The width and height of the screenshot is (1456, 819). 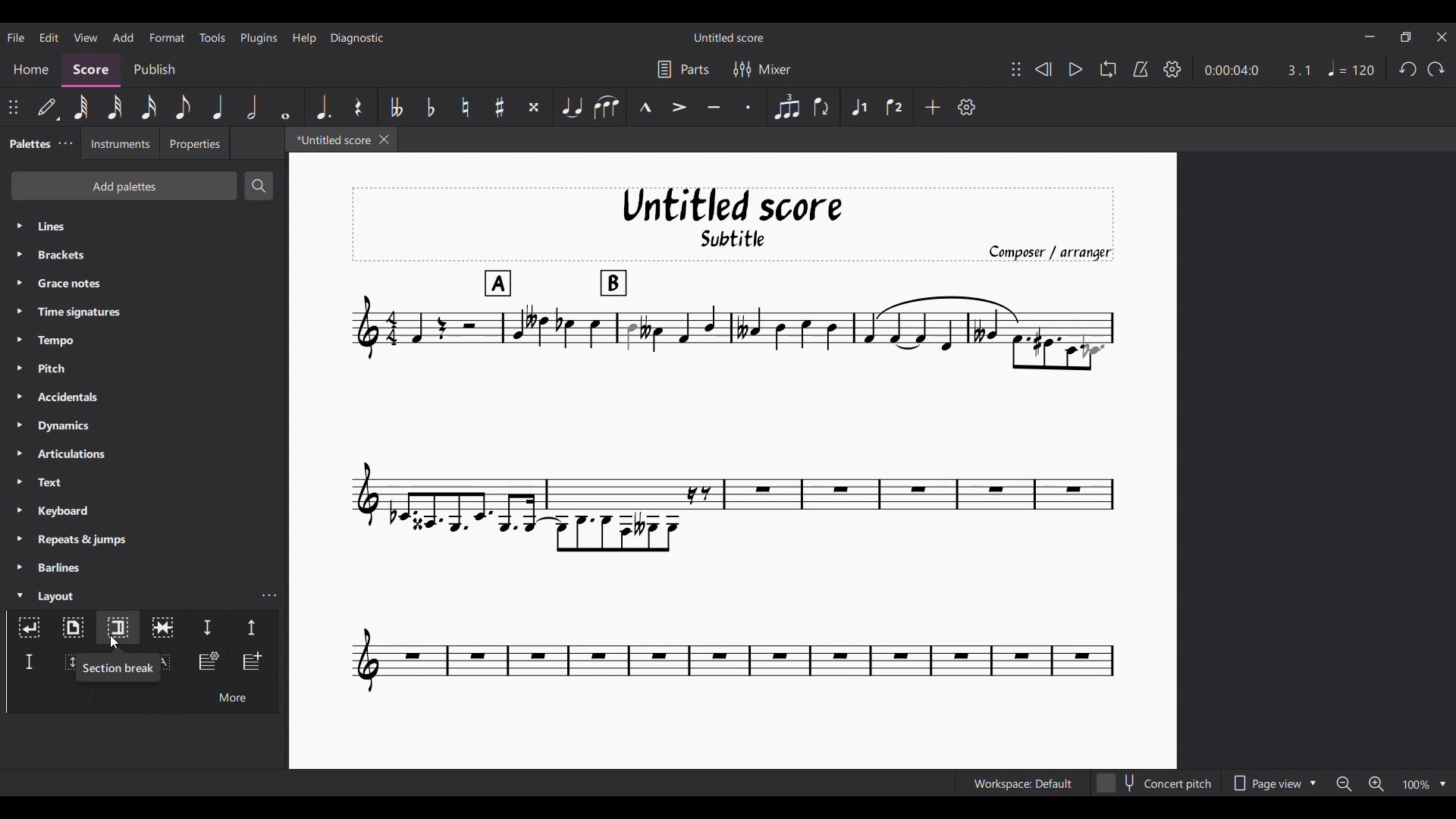 What do you see at coordinates (183, 107) in the screenshot?
I see `8th note` at bounding box center [183, 107].